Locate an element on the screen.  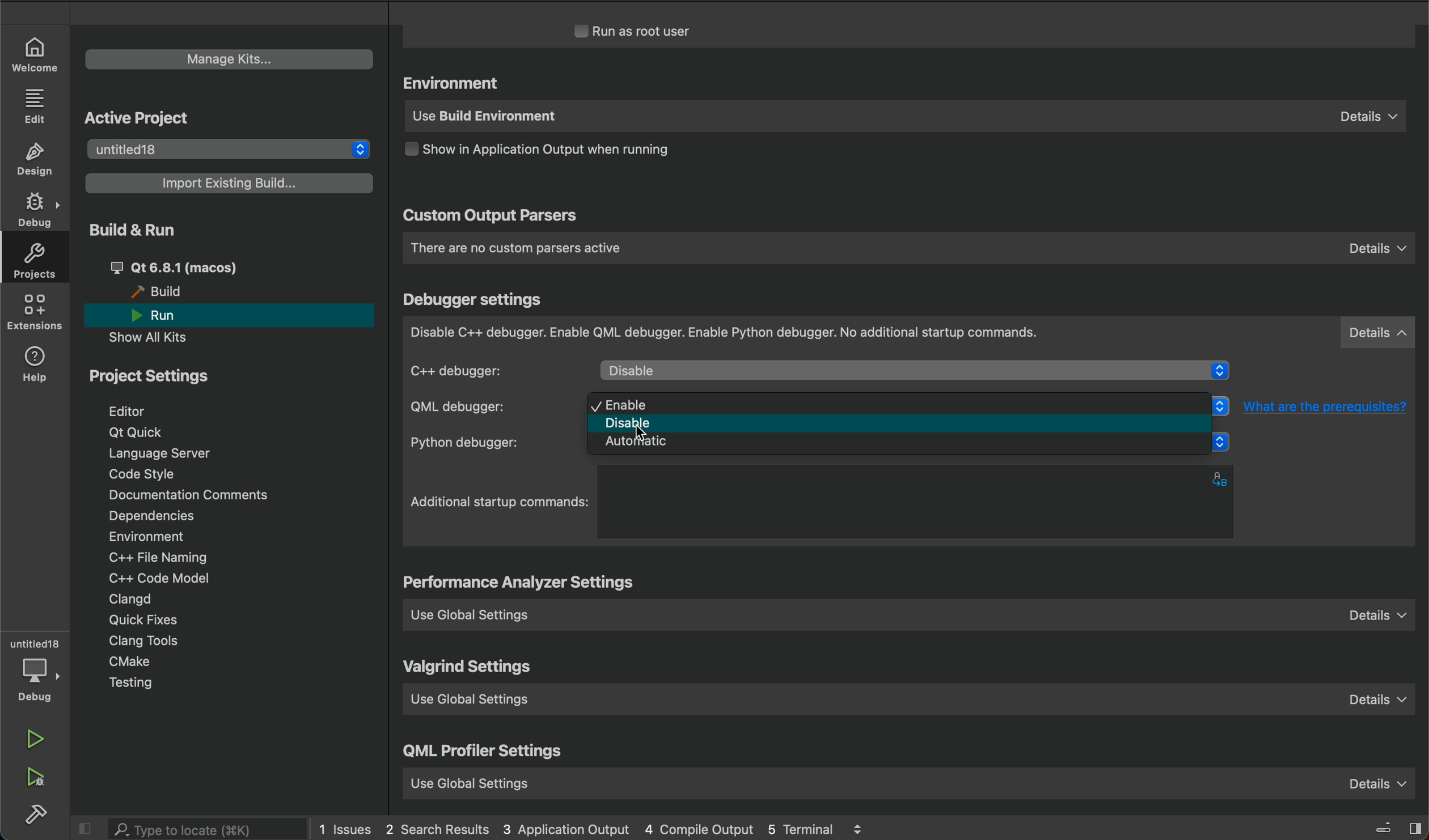
extensions is located at coordinates (37, 315).